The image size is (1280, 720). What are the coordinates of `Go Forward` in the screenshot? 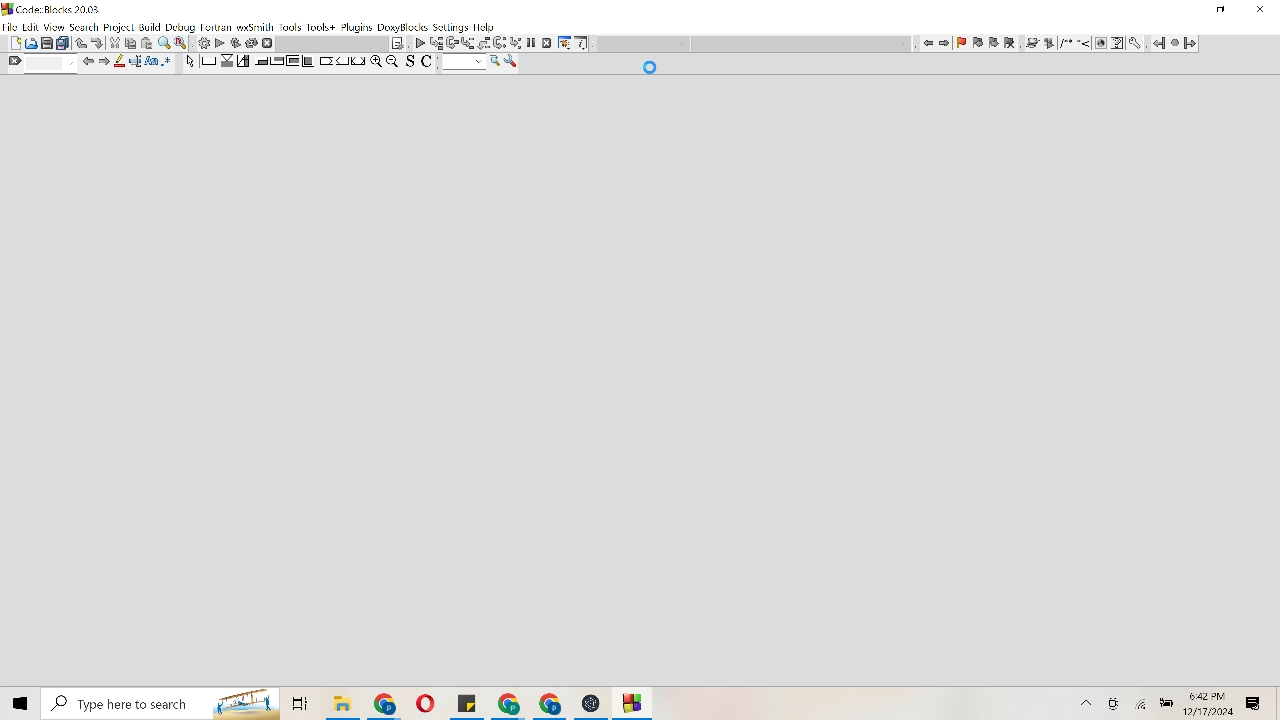 It's located at (1190, 43).